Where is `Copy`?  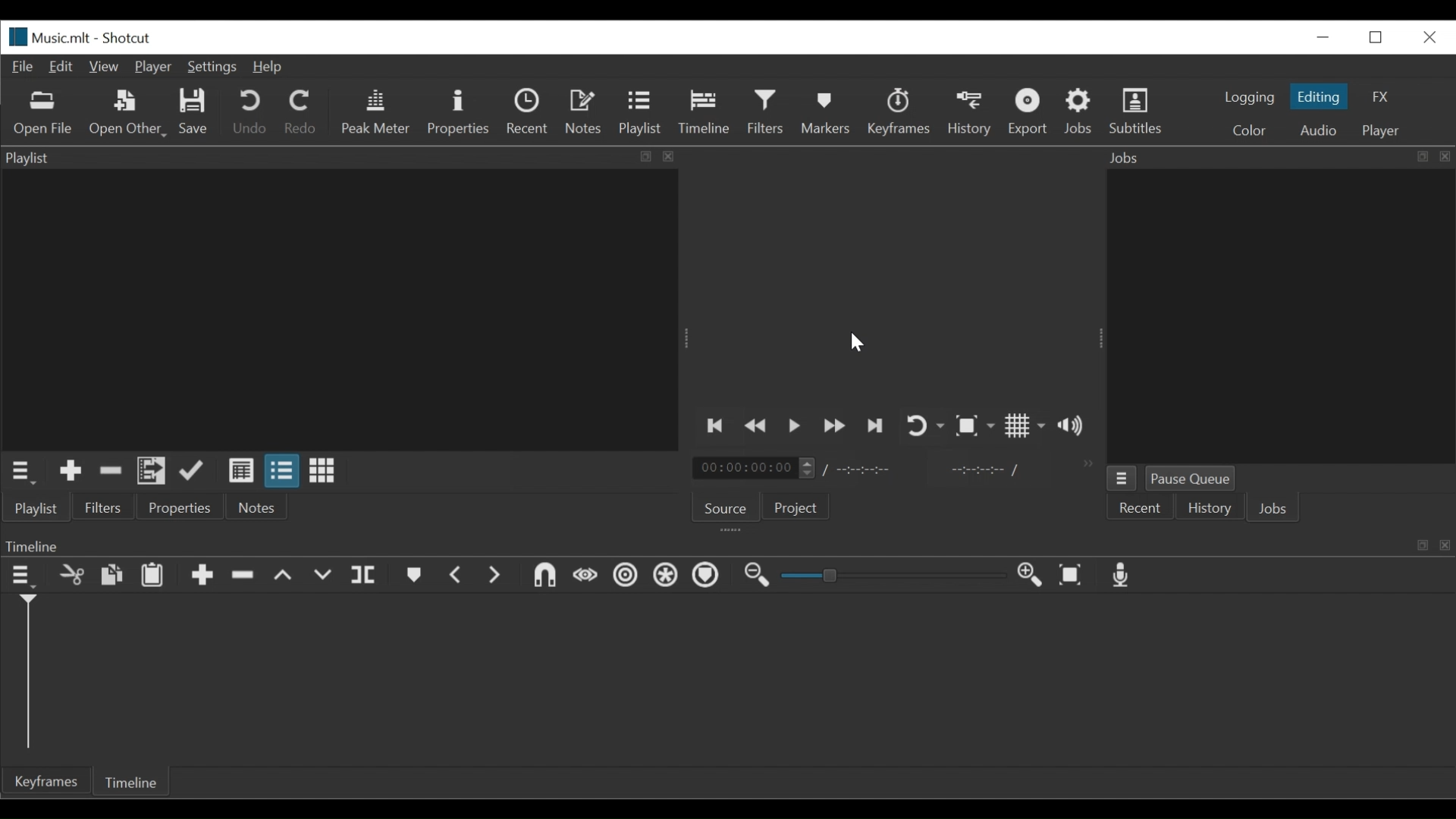 Copy is located at coordinates (111, 575).